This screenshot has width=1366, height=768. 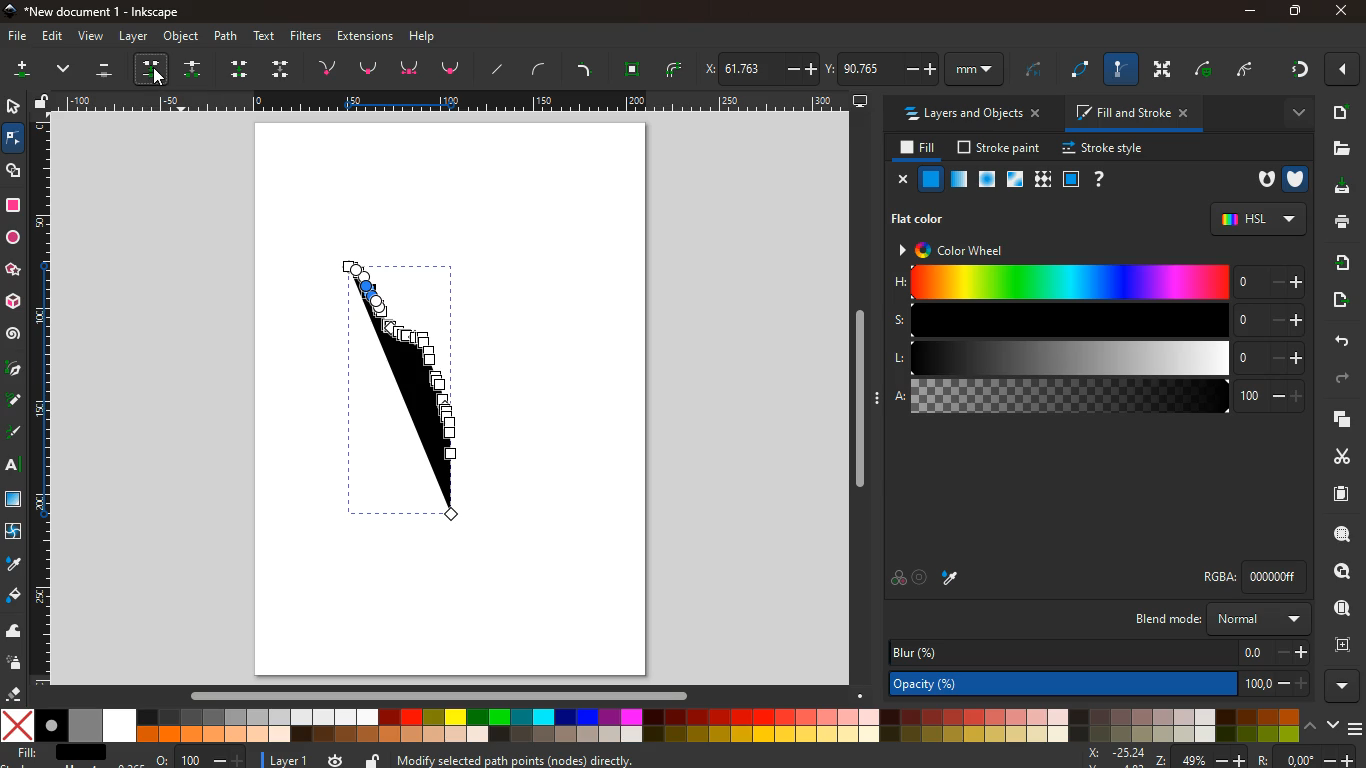 What do you see at coordinates (1098, 283) in the screenshot?
I see `h` at bounding box center [1098, 283].